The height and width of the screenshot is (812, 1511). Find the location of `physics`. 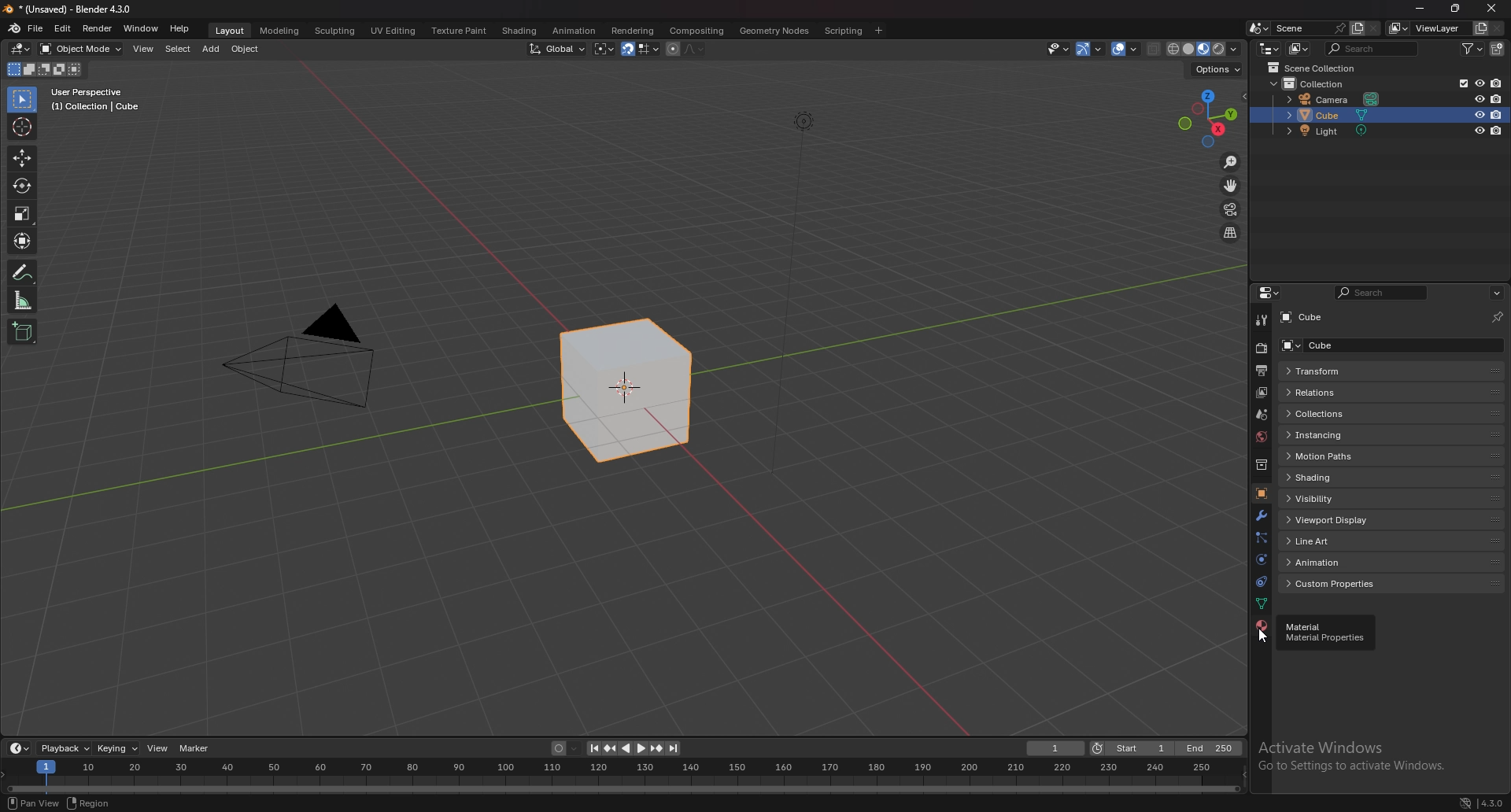

physics is located at coordinates (1261, 560).